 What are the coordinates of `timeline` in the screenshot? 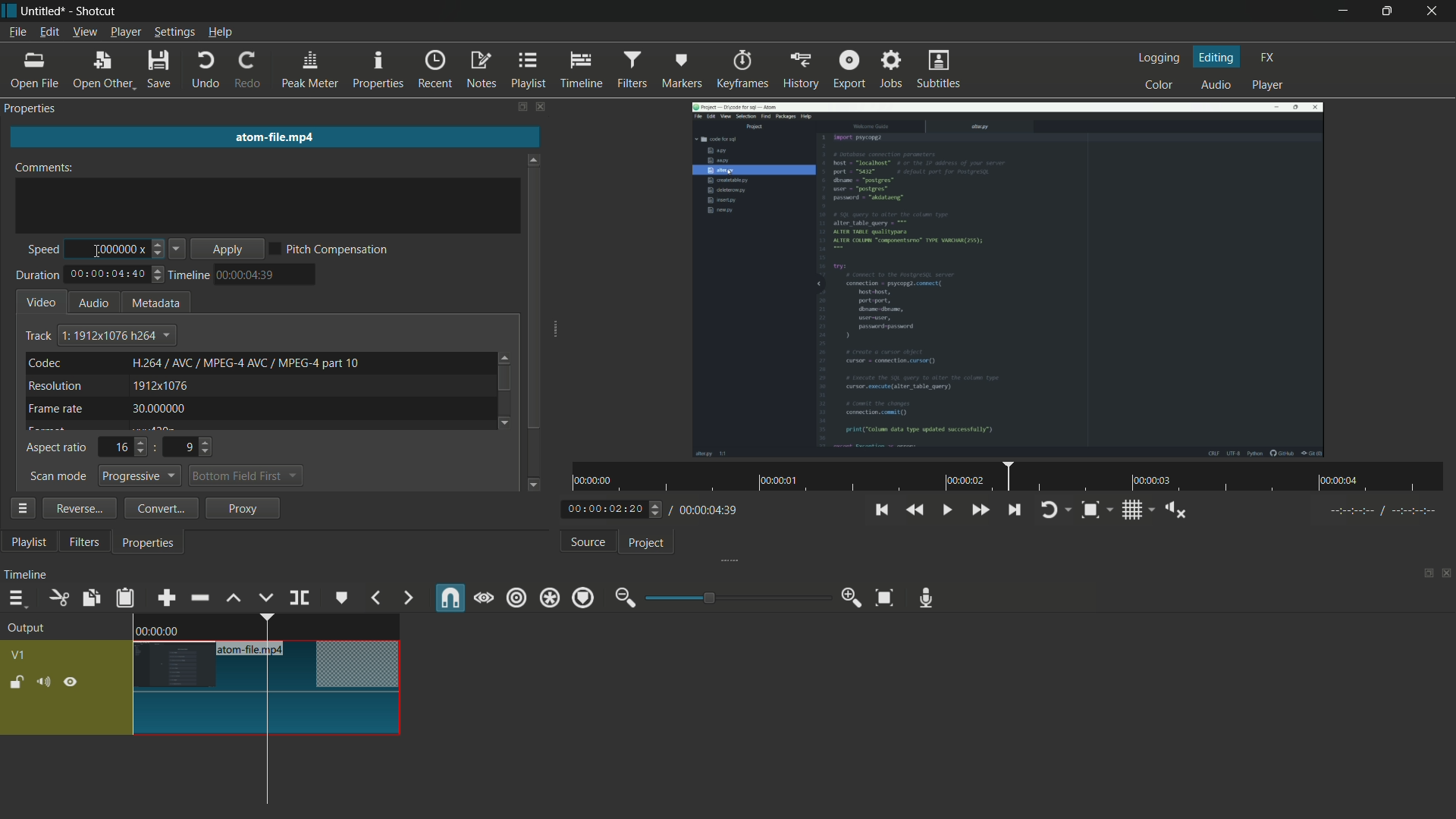 It's located at (27, 576).